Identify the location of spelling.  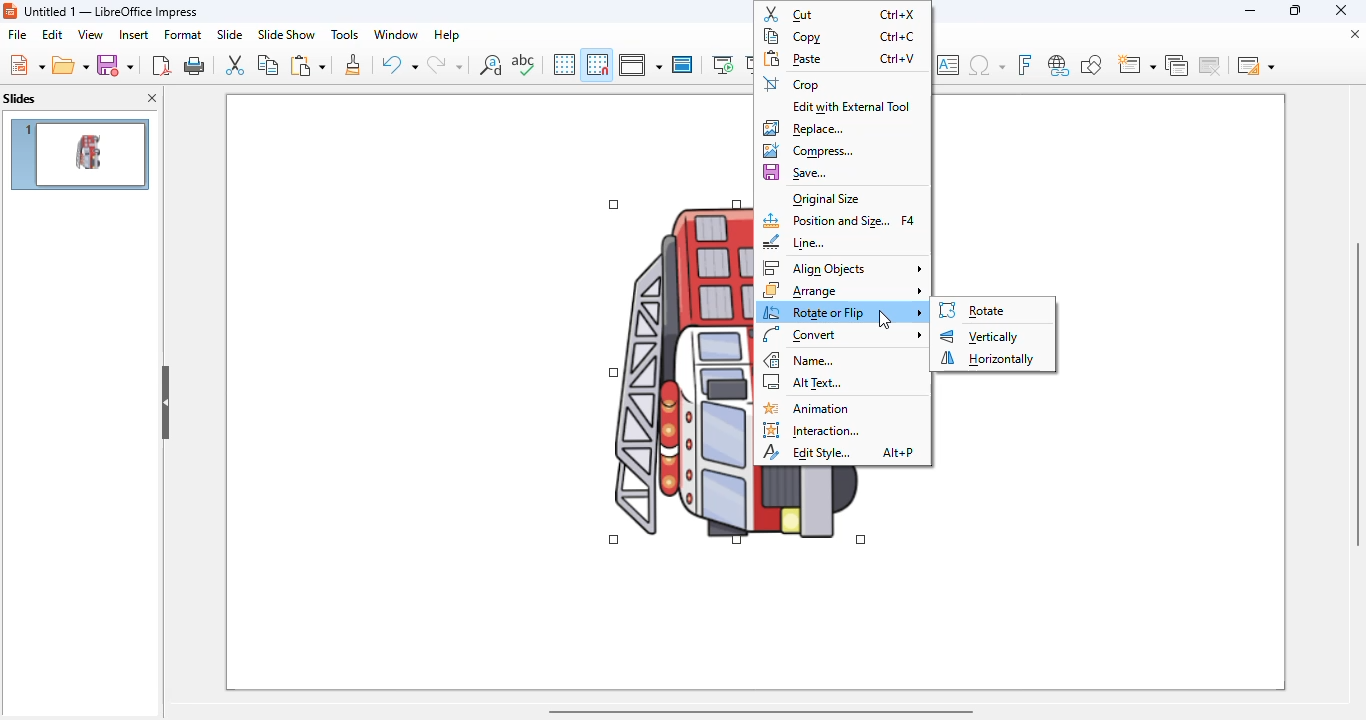
(524, 65).